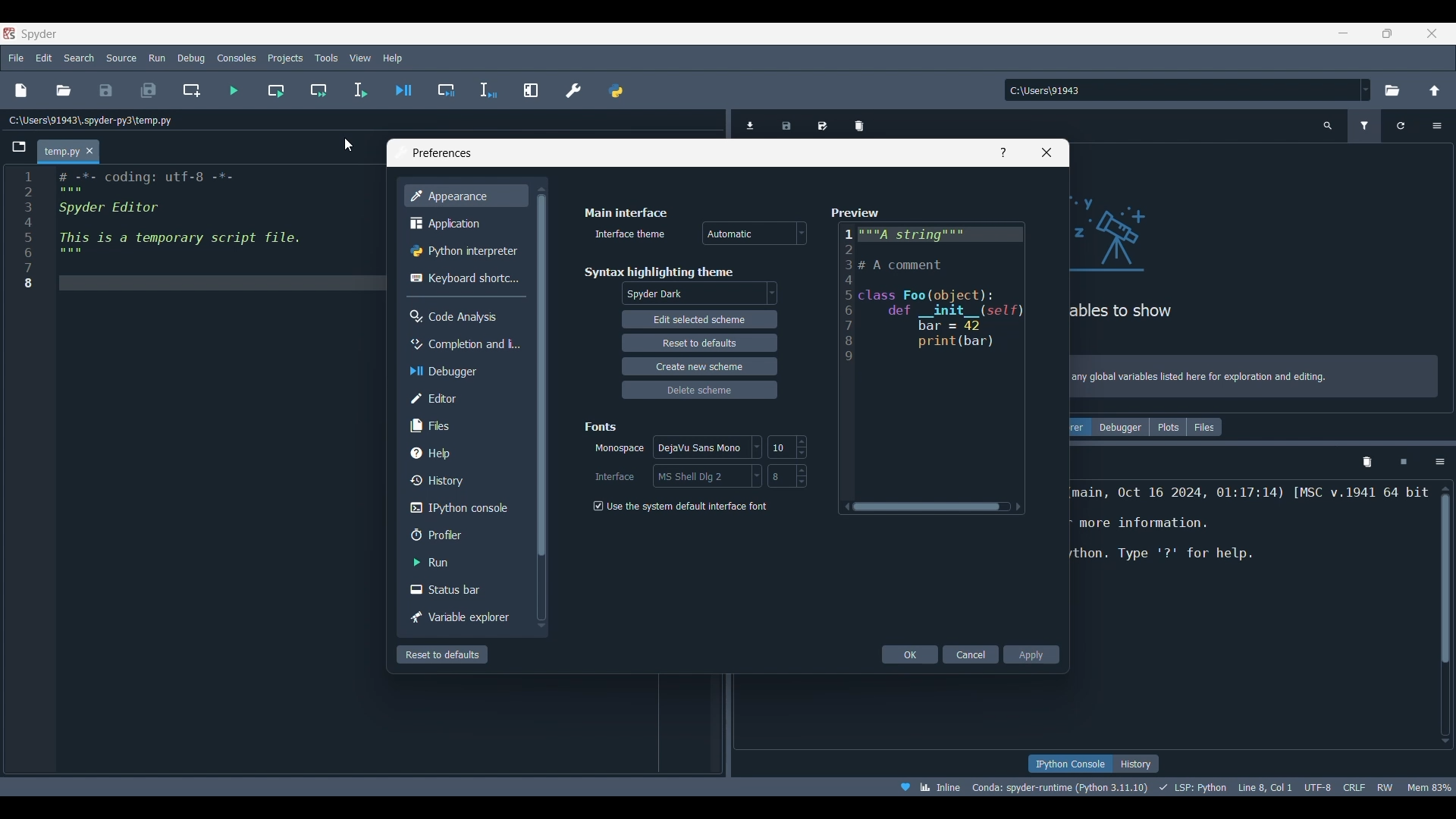  What do you see at coordinates (89, 150) in the screenshot?
I see `Close tab` at bounding box center [89, 150].